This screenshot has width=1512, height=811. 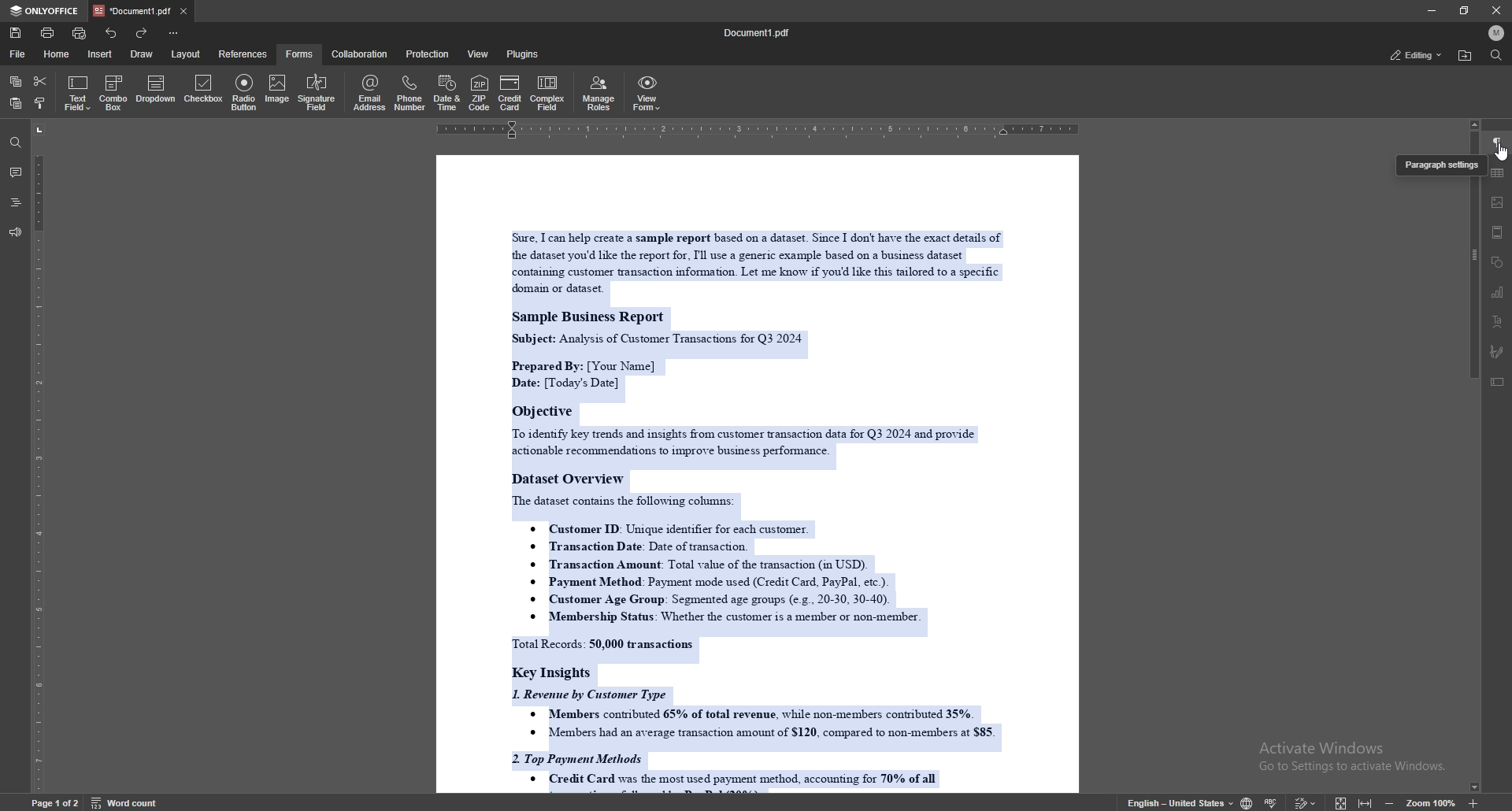 What do you see at coordinates (15, 172) in the screenshot?
I see `comment` at bounding box center [15, 172].